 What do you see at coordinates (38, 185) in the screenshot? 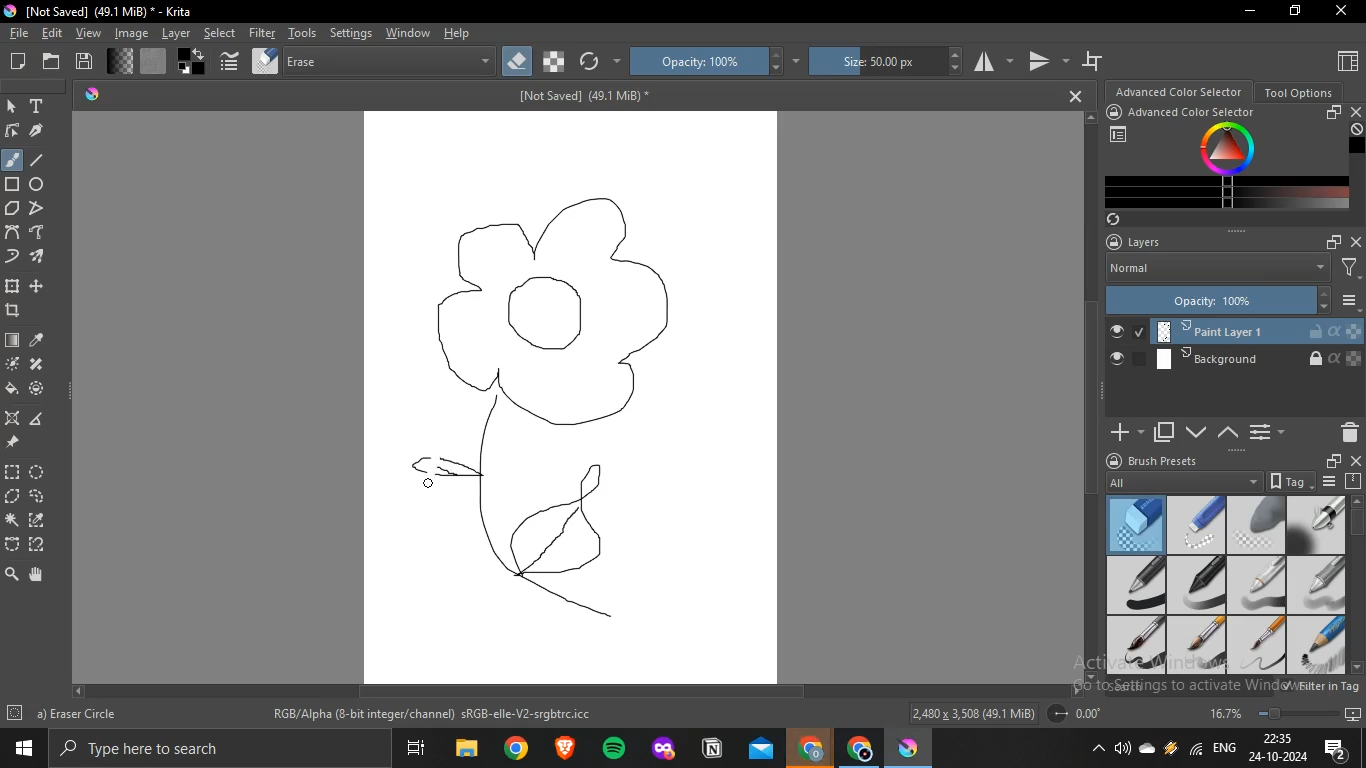
I see `ellipse tool` at bounding box center [38, 185].